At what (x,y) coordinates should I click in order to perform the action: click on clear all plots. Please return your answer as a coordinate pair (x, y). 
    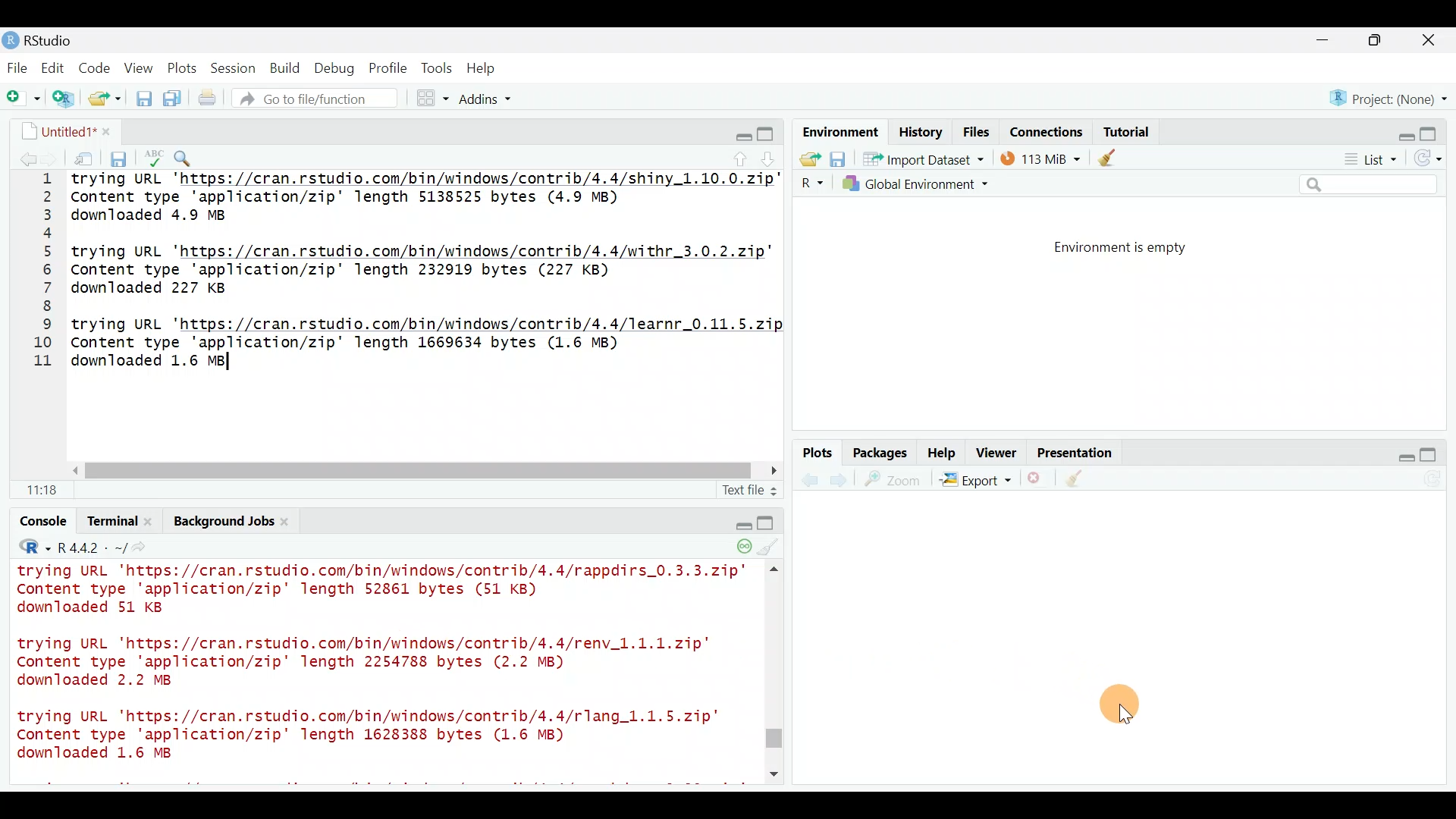
    Looking at the image, I should click on (1083, 481).